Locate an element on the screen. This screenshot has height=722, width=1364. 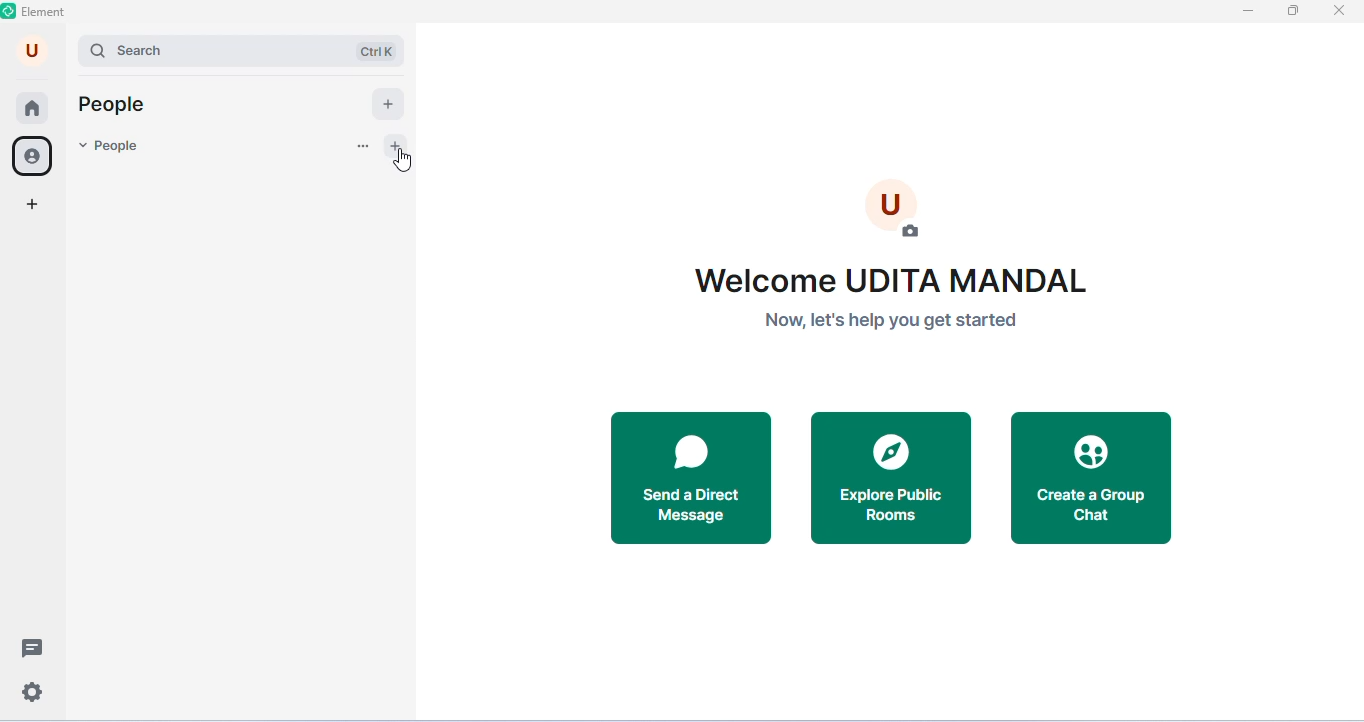
cursor is located at coordinates (404, 160).